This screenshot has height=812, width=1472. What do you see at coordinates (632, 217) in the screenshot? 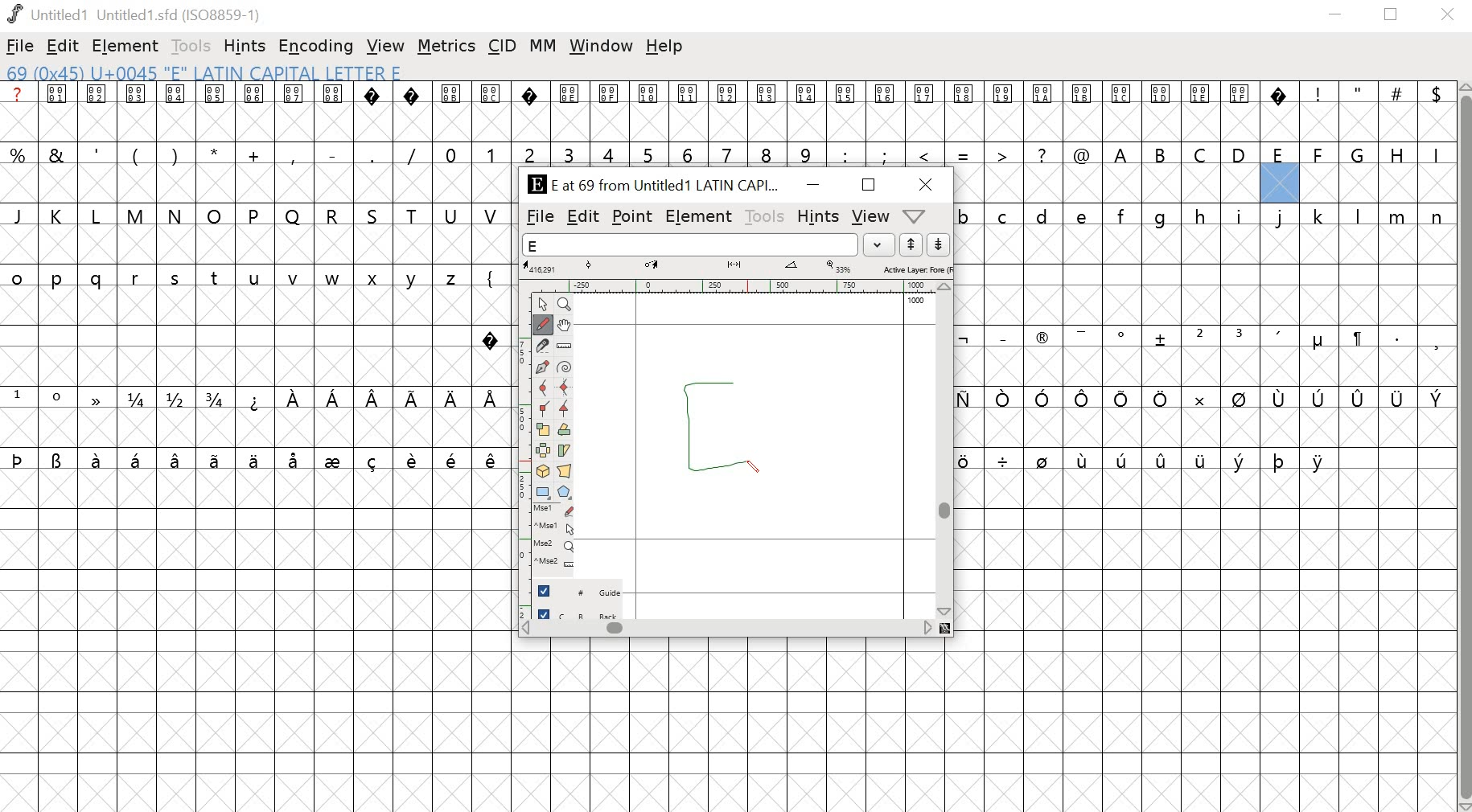
I see `point` at bounding box center [632, 217].